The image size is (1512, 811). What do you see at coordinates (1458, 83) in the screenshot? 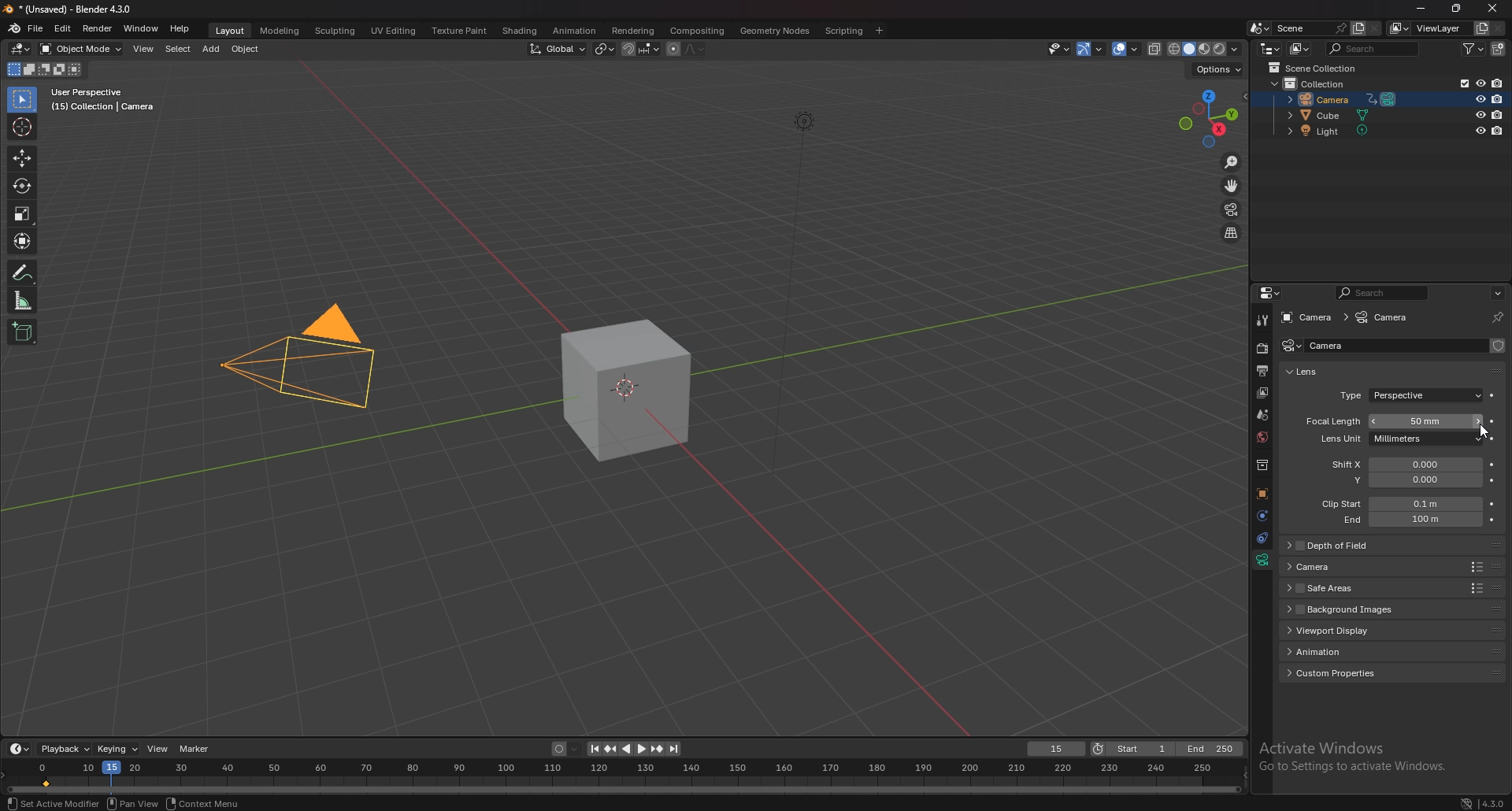
I see `exclude from viewlayer` at bounding box center [1458, 83].